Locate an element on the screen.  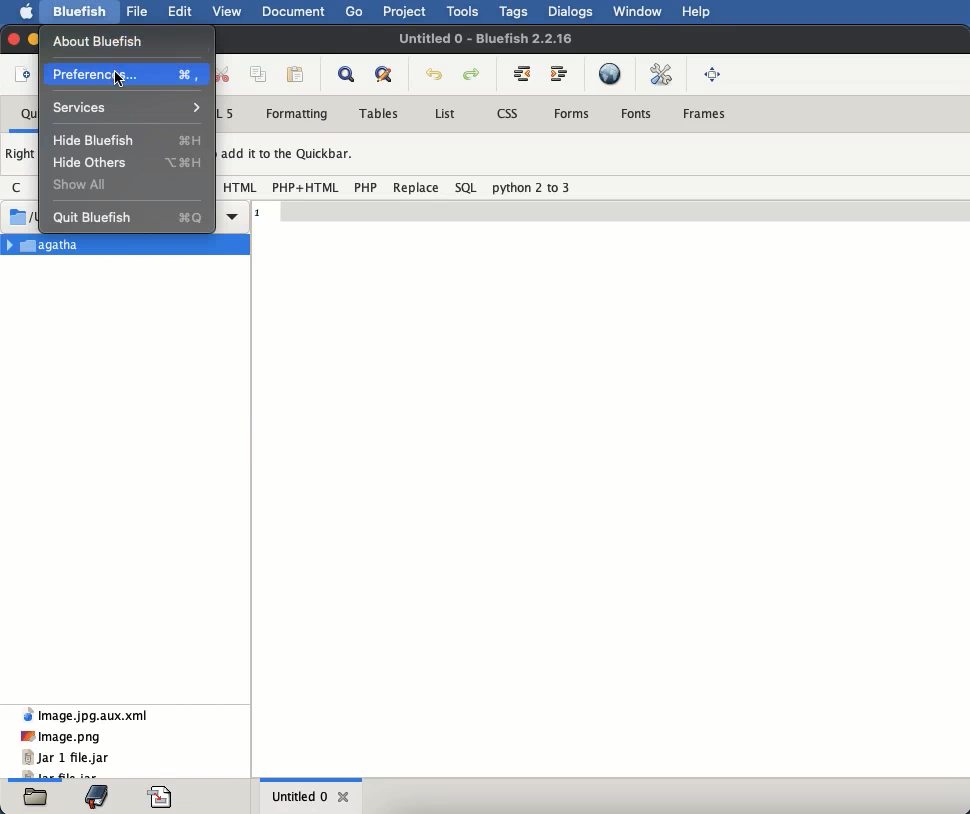
edit is located at coordinates (179, 11).